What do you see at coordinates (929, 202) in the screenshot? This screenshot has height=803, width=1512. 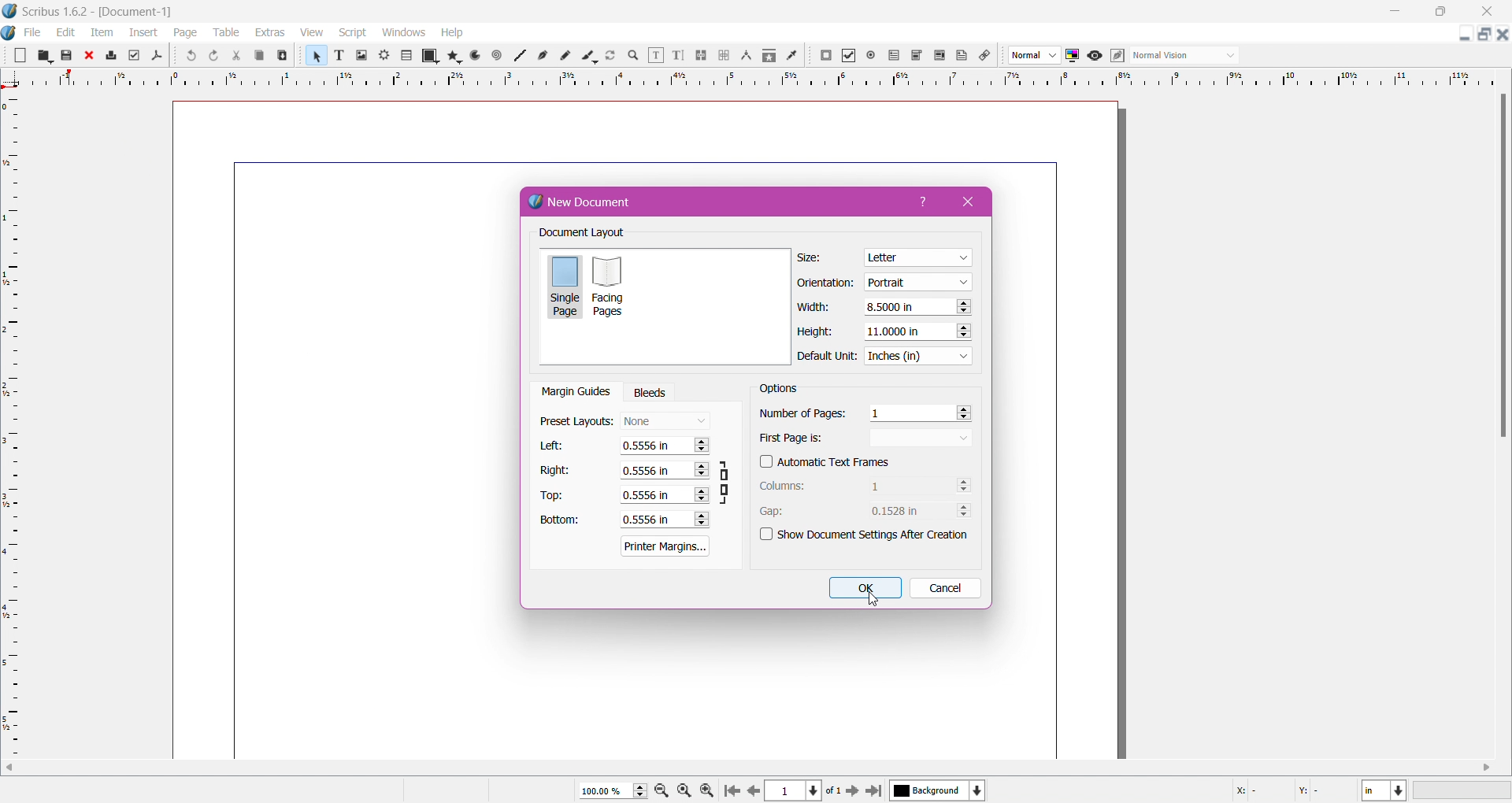 I see `help` at bounding box center [929, 202].